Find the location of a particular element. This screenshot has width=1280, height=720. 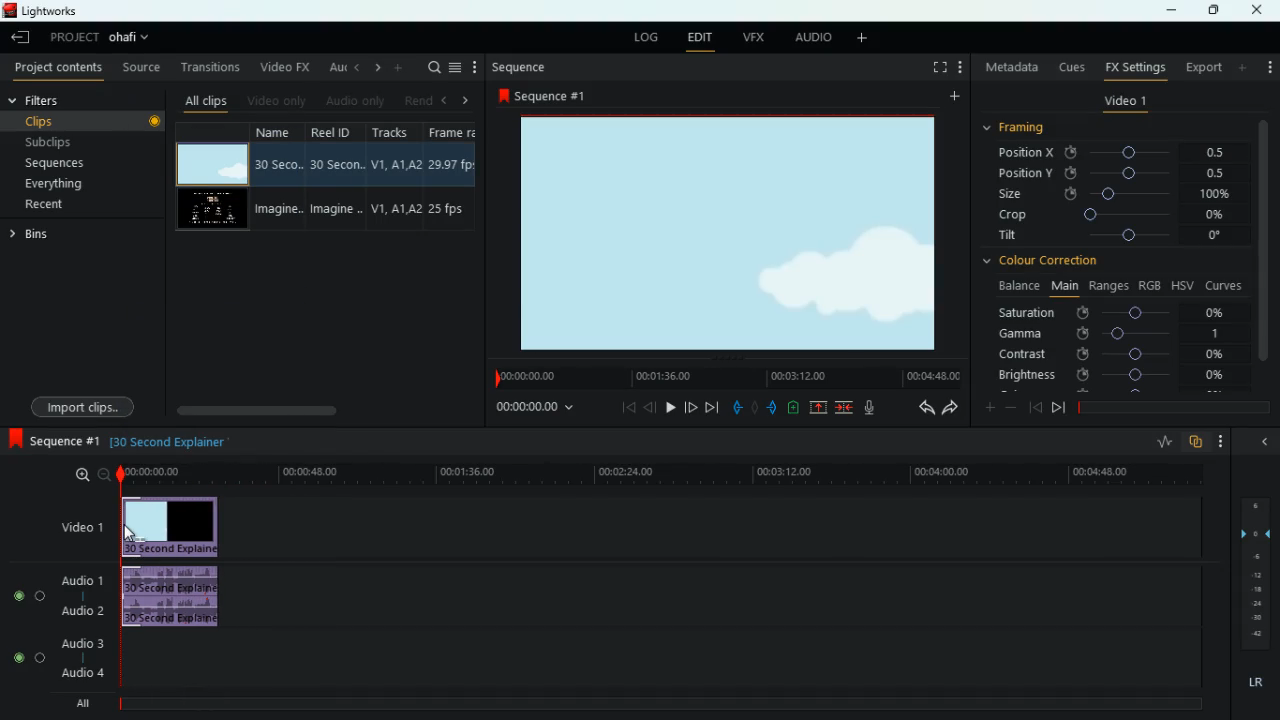

back is located at coordinates (924, 407).